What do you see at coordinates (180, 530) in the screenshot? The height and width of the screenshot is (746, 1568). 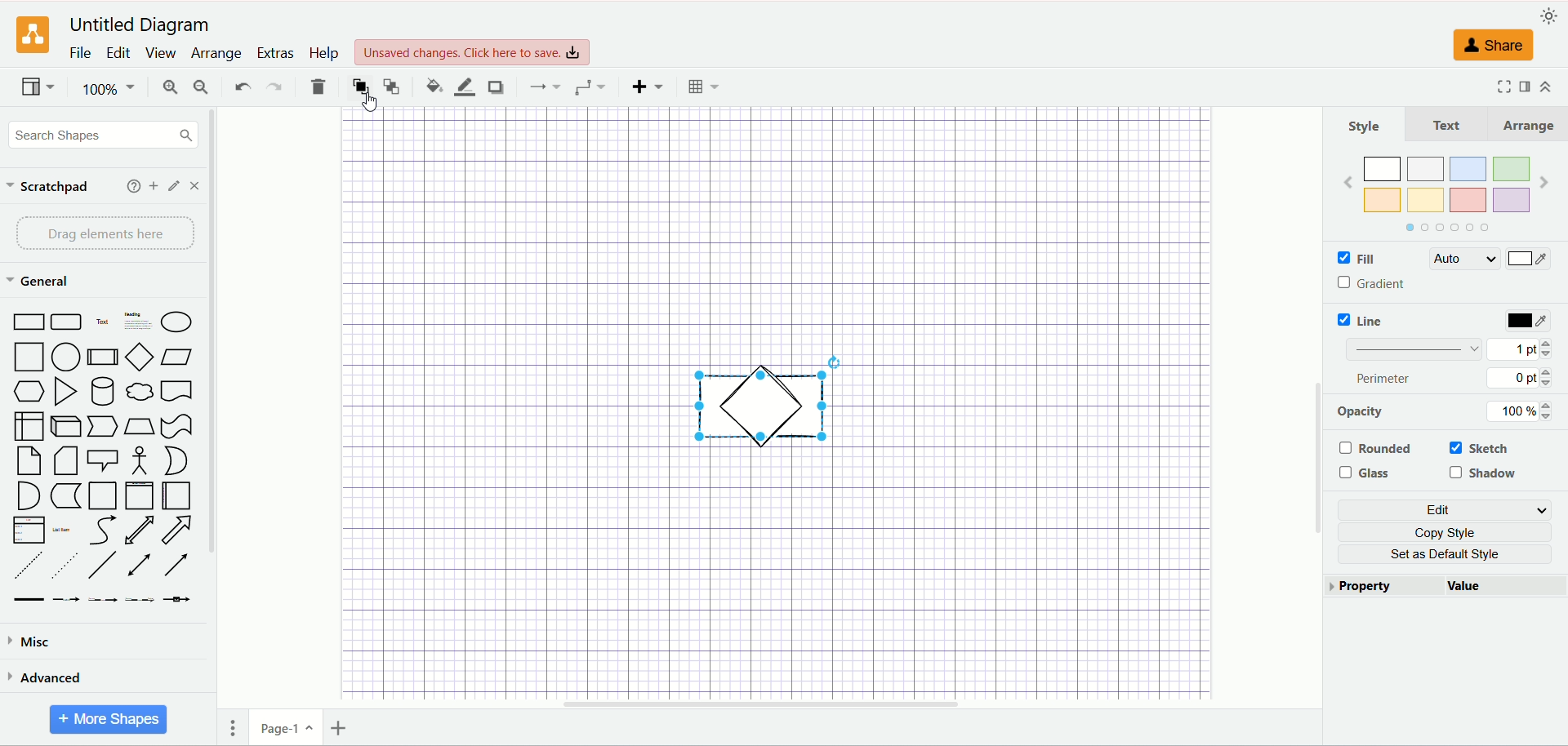 I see `arrow` at bounding box center [180, 530].